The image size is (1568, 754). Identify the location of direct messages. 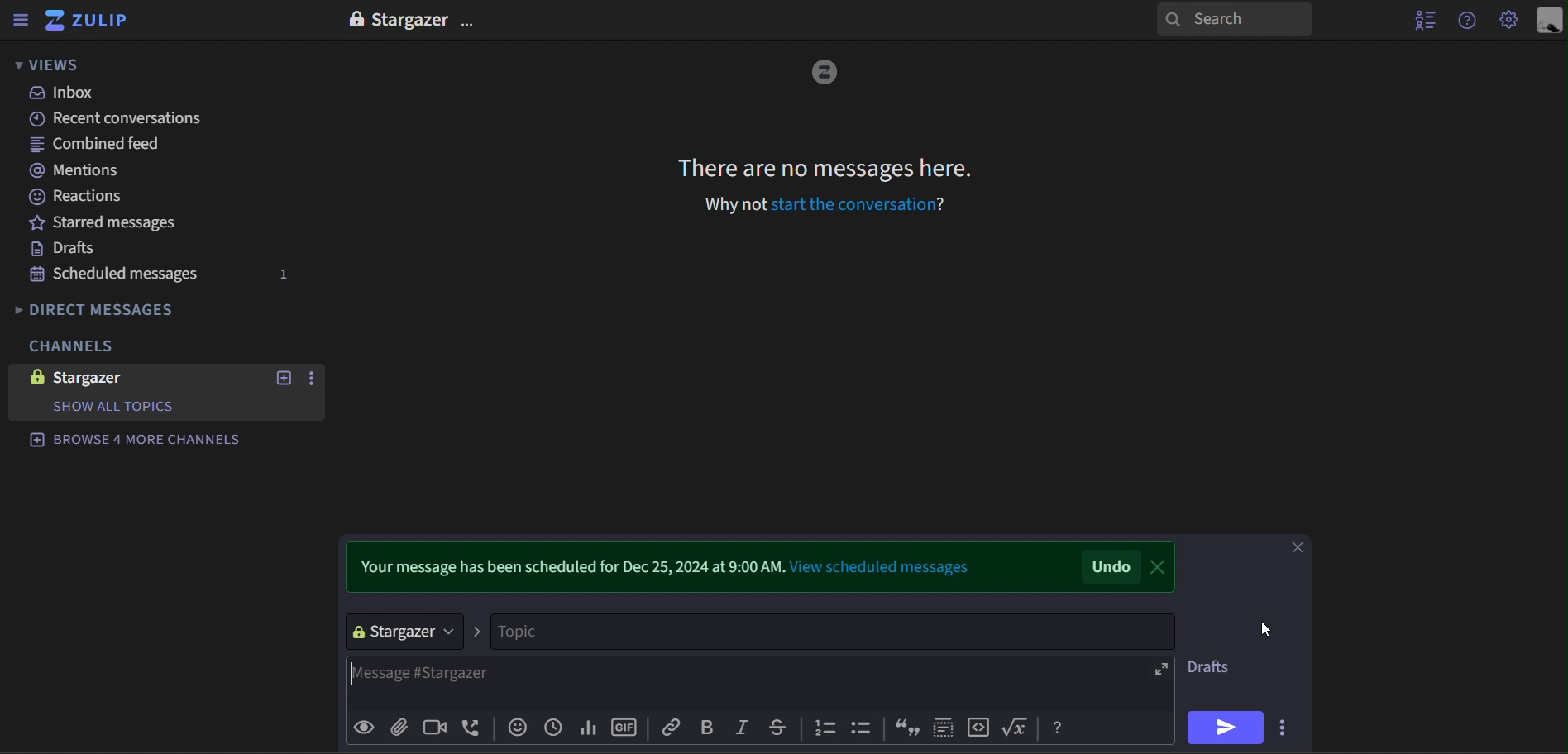
(136, 309).